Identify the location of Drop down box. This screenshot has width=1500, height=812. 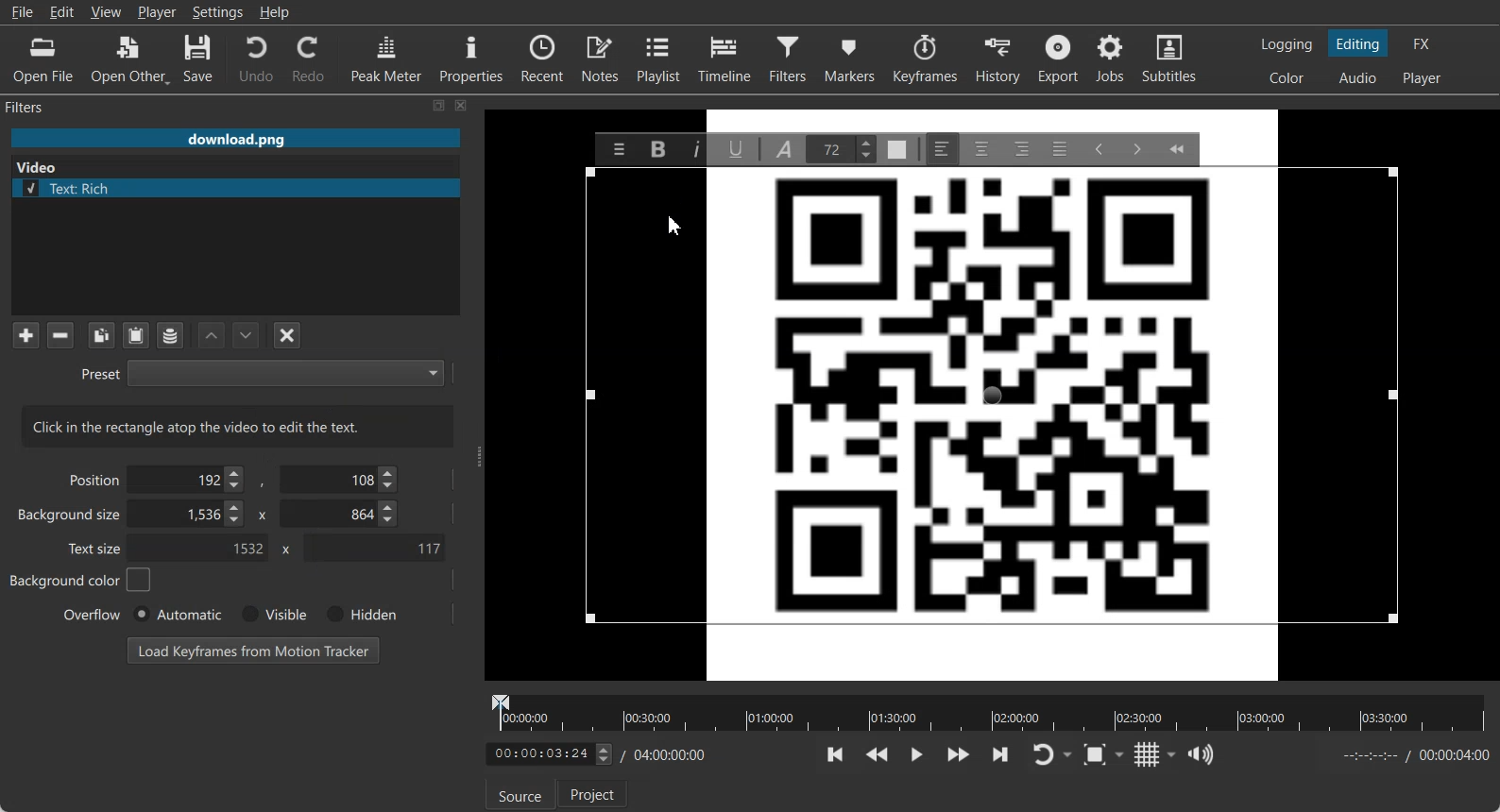
(1123, 753).